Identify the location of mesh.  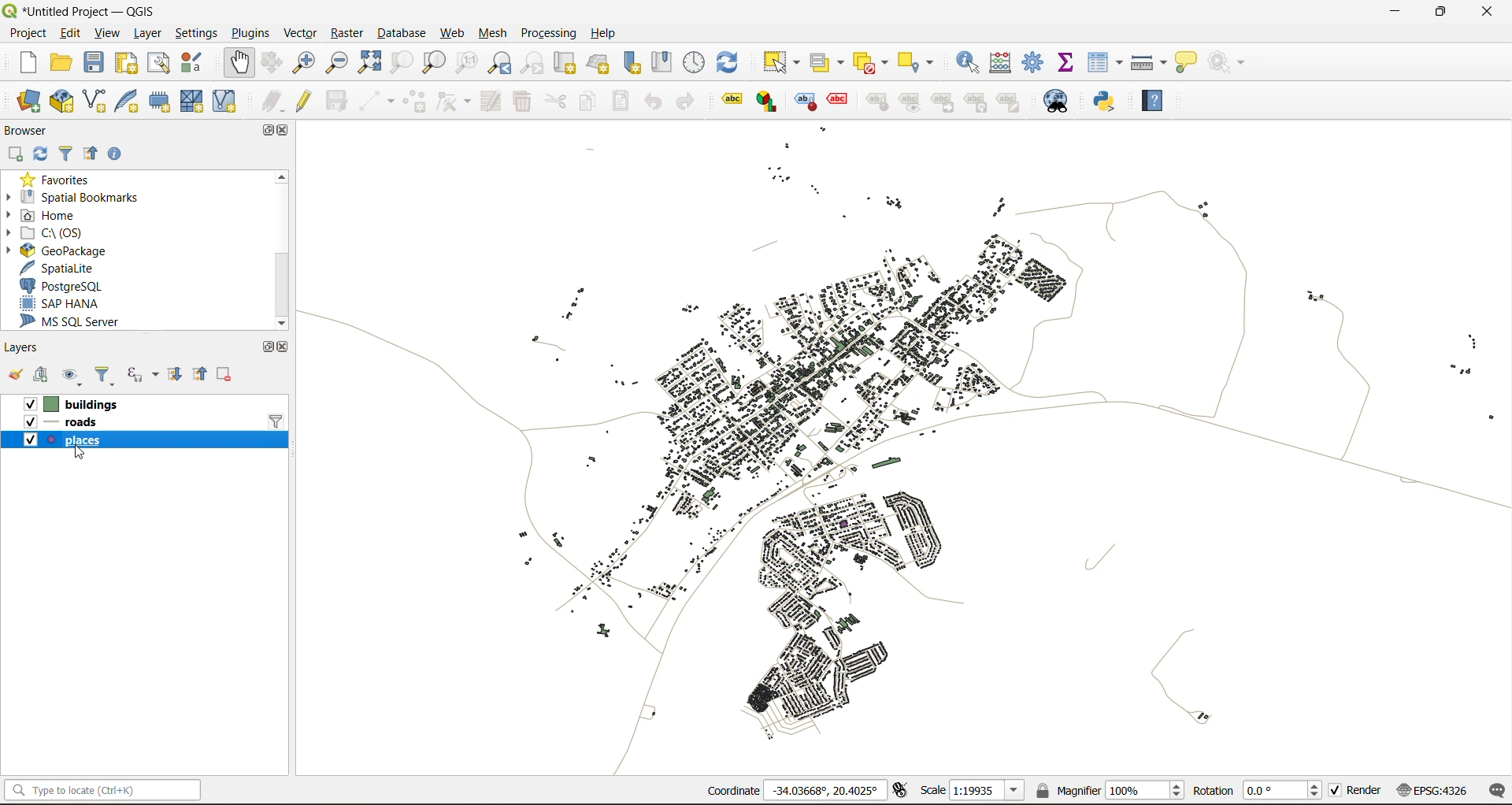
(495, 35).